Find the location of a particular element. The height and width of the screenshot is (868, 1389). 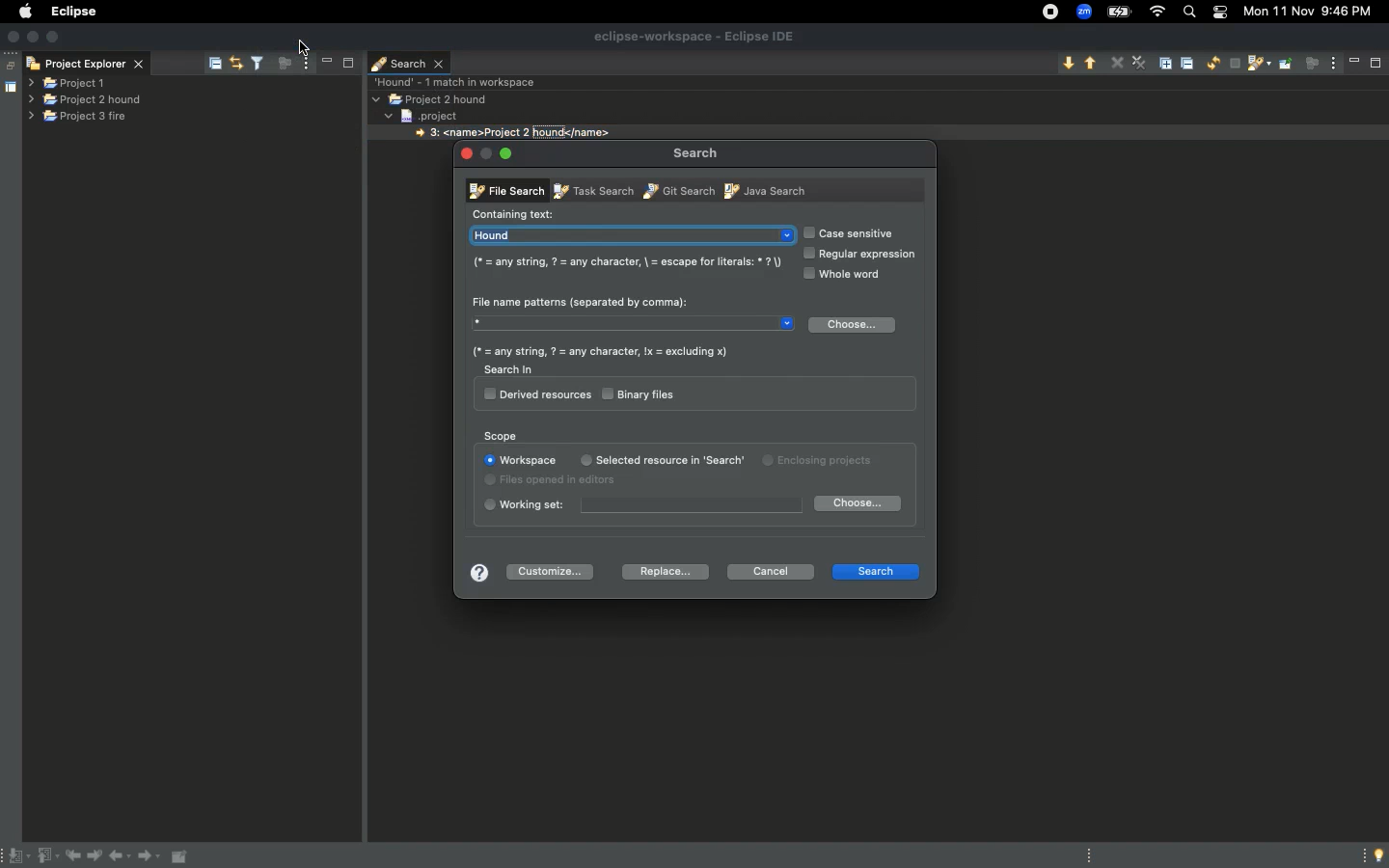

zoom is located at coordinates (1085, 13).